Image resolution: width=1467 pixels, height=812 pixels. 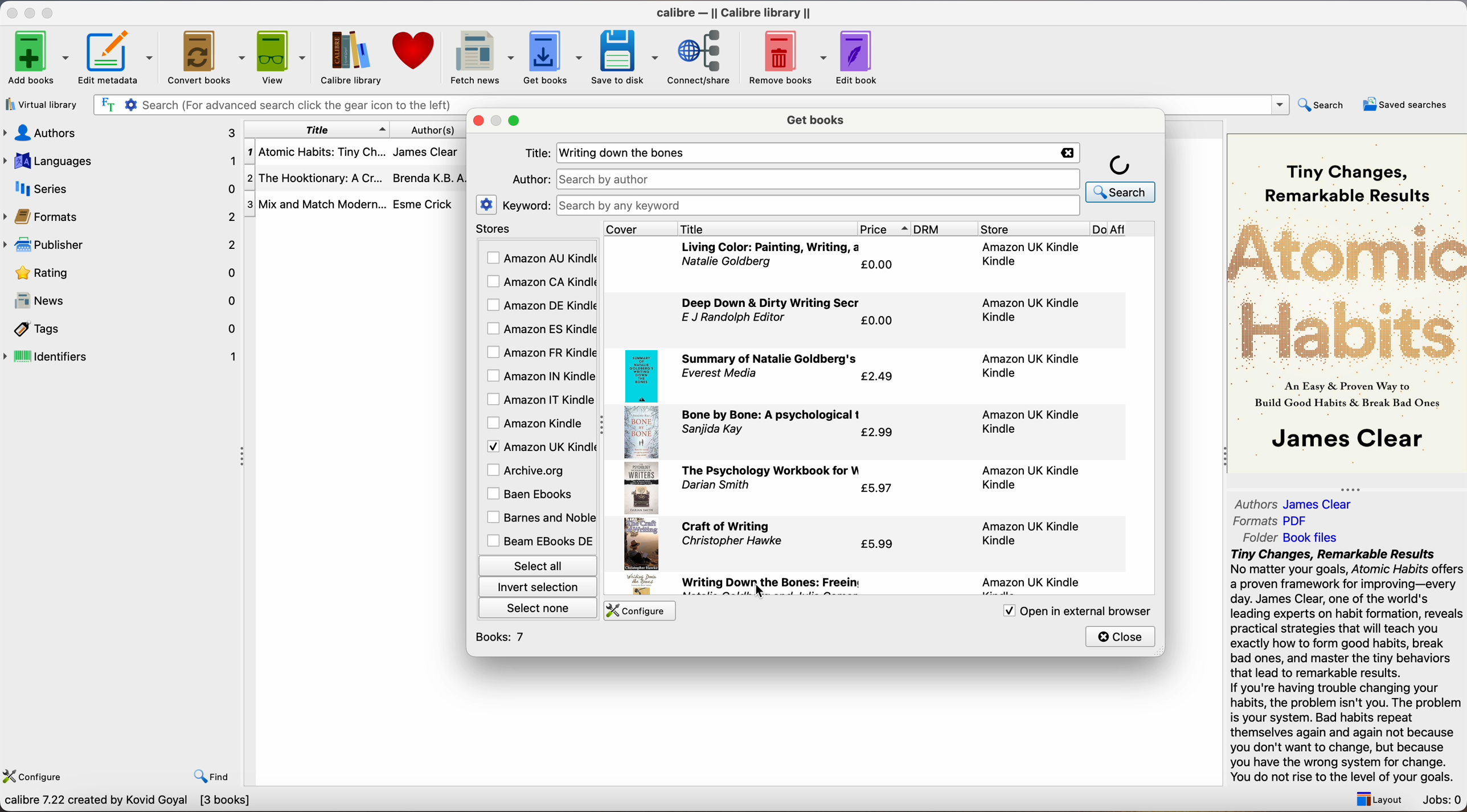 What do you see at coordinates (123, 244) in the screenshot?
I see `publisher` at bounding box center [123, 244].